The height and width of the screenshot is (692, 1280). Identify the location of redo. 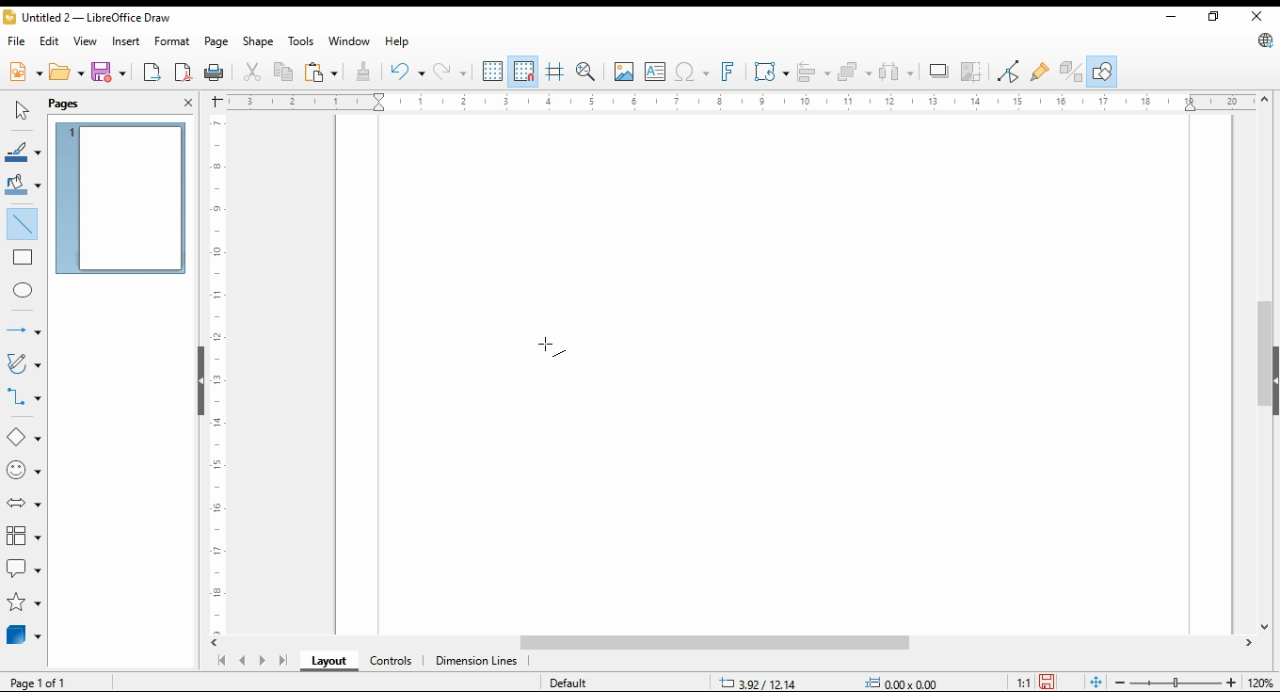
(449, 71).